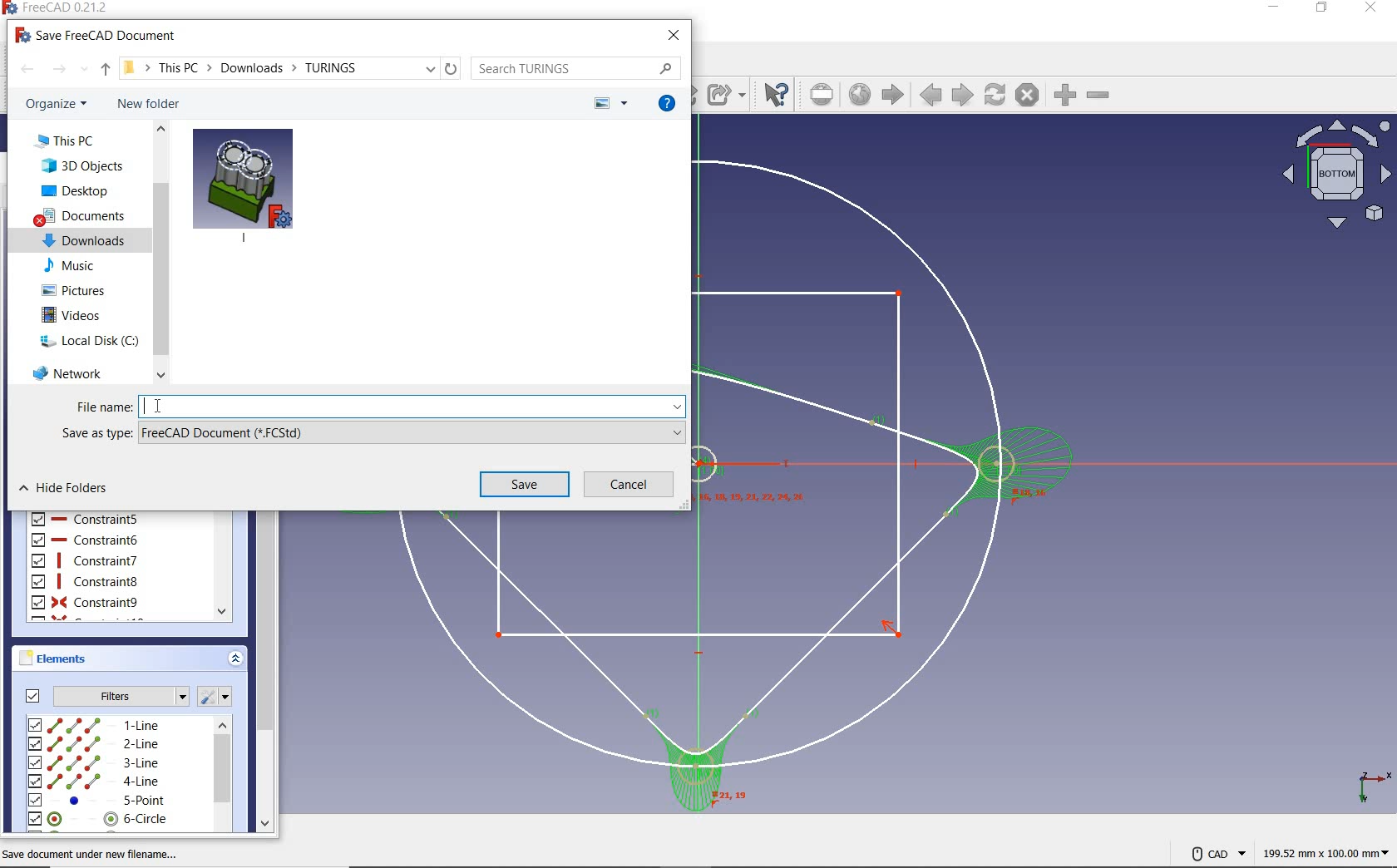  I want to click on back, so click(27, 69).